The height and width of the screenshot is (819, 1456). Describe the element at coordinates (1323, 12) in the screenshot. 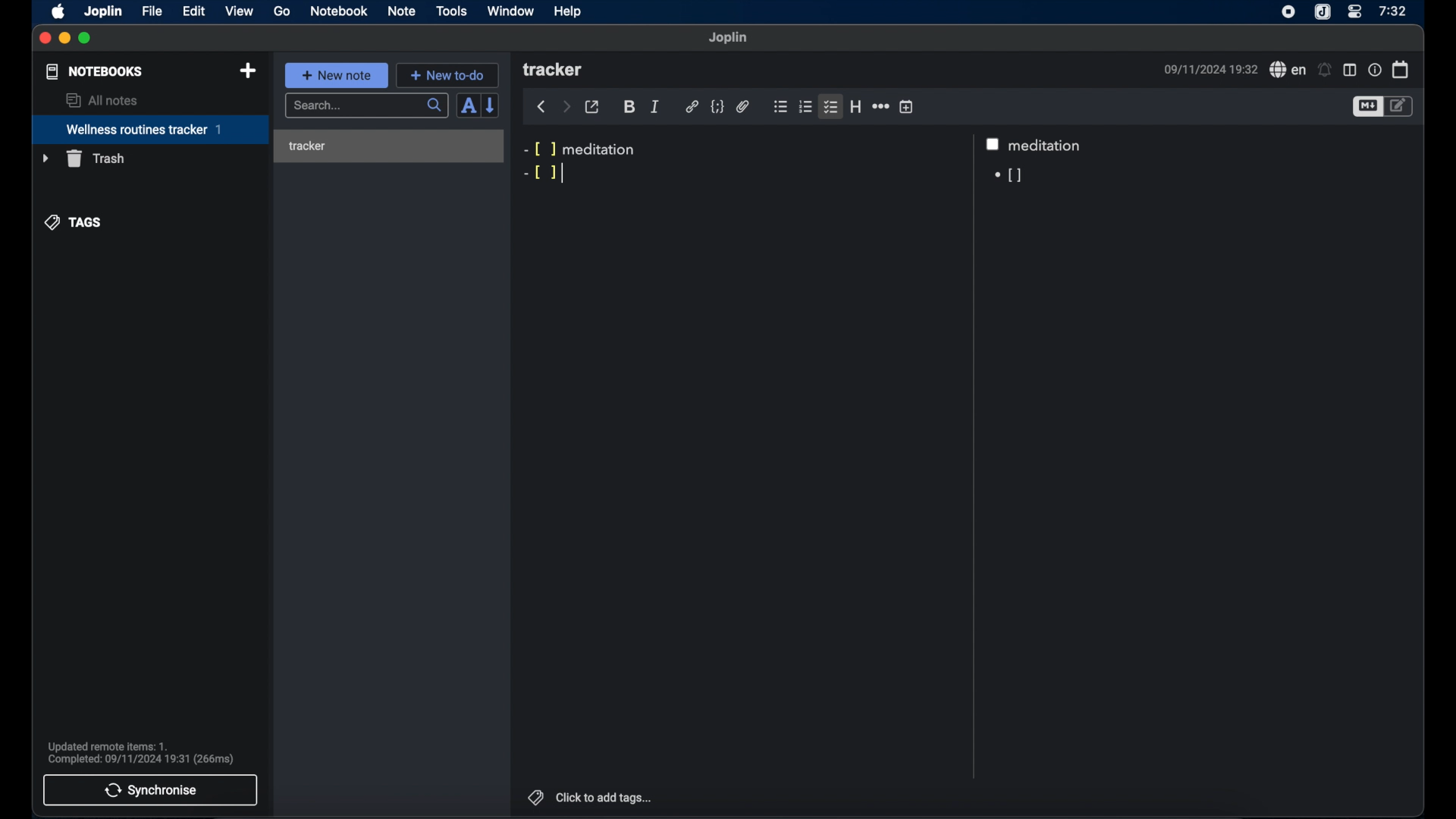

I see `joplin icon` at that location.